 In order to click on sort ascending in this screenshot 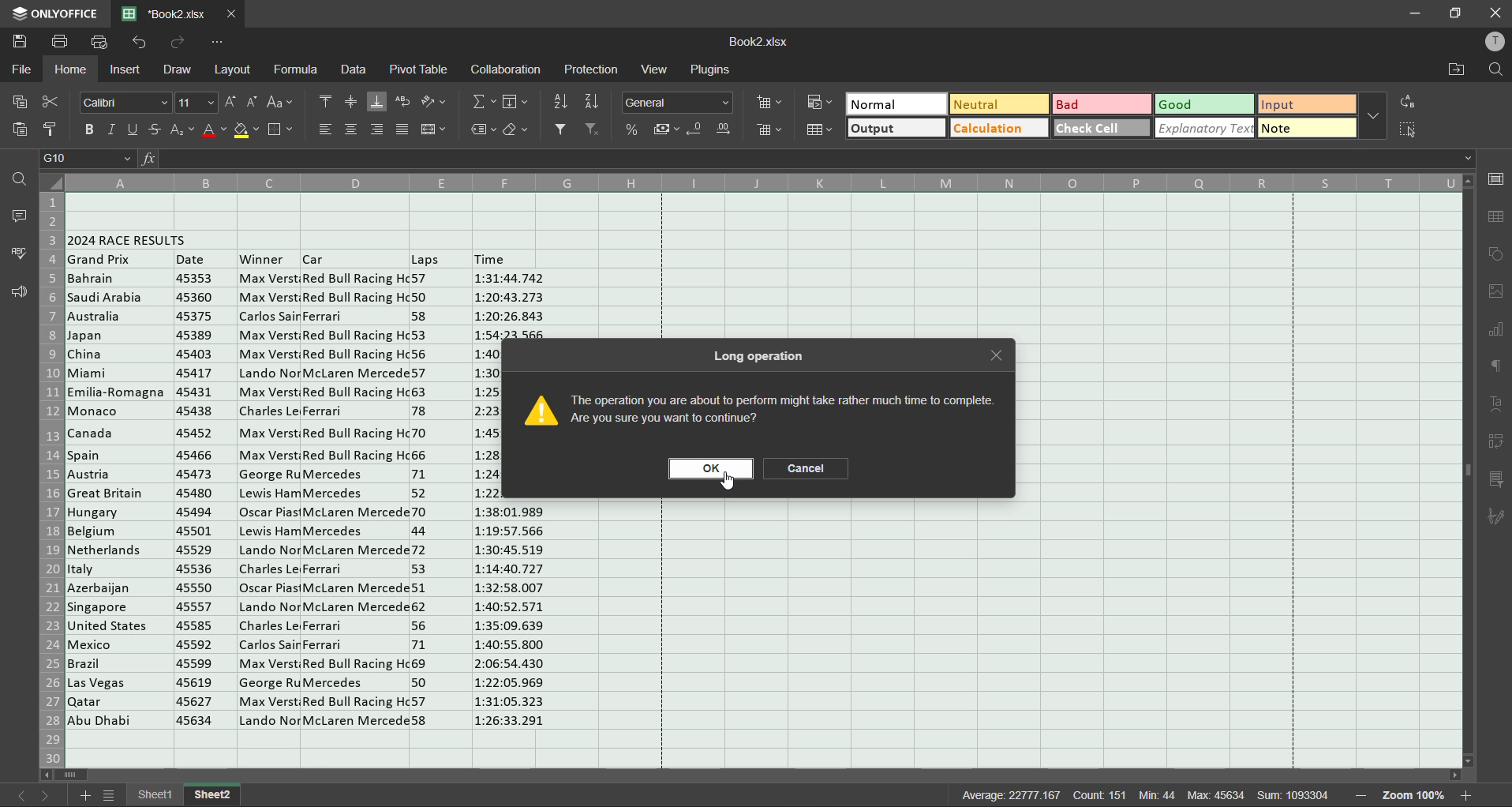, I will do `click(562, 102)`.